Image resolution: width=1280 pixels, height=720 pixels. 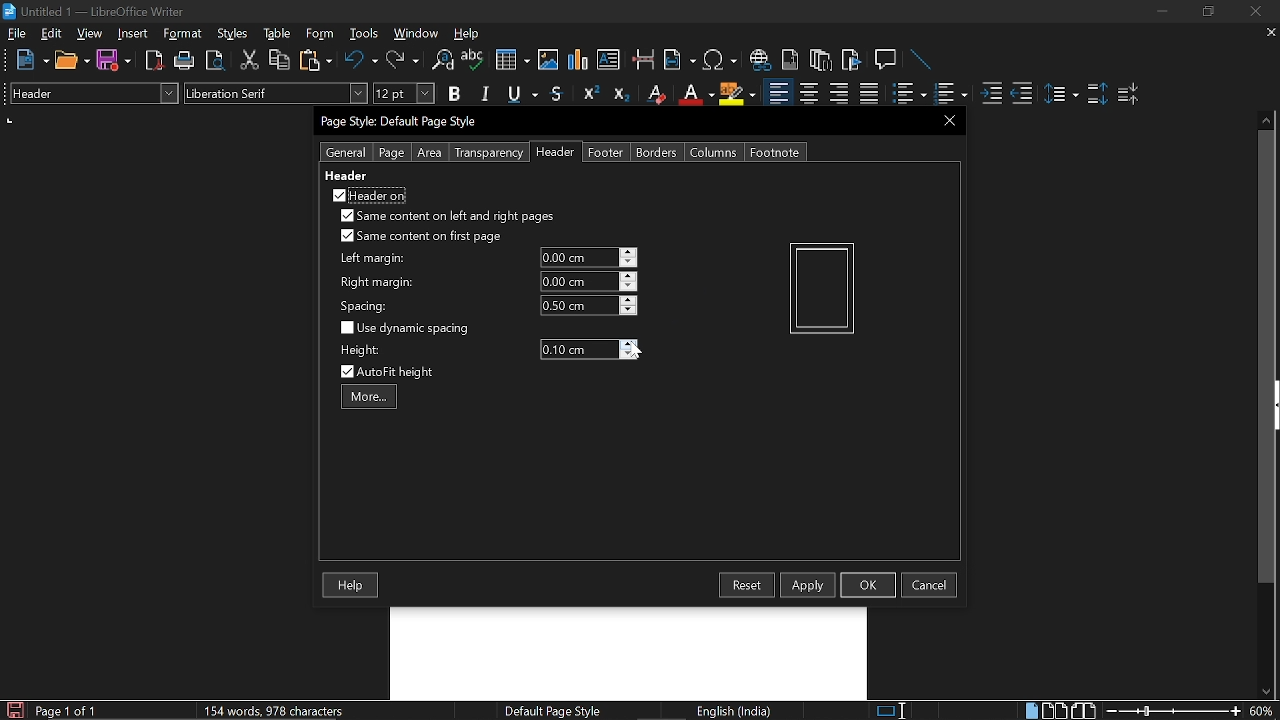 What do you see at coordinates (473, 60) in the screenshot?
I see `Spell check` at bounding box center [473, 60].